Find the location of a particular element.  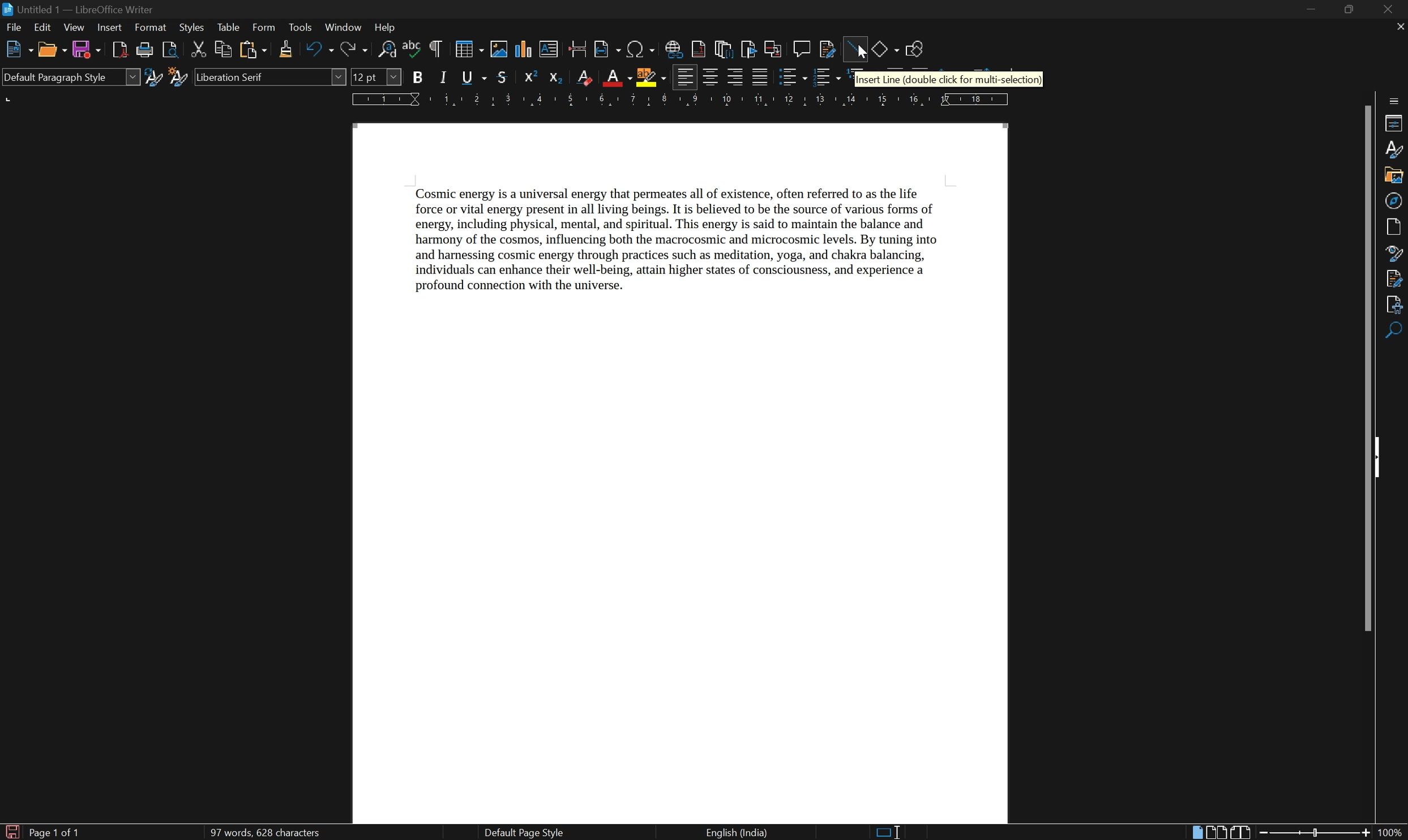

print is located at coordinates (144, 50).